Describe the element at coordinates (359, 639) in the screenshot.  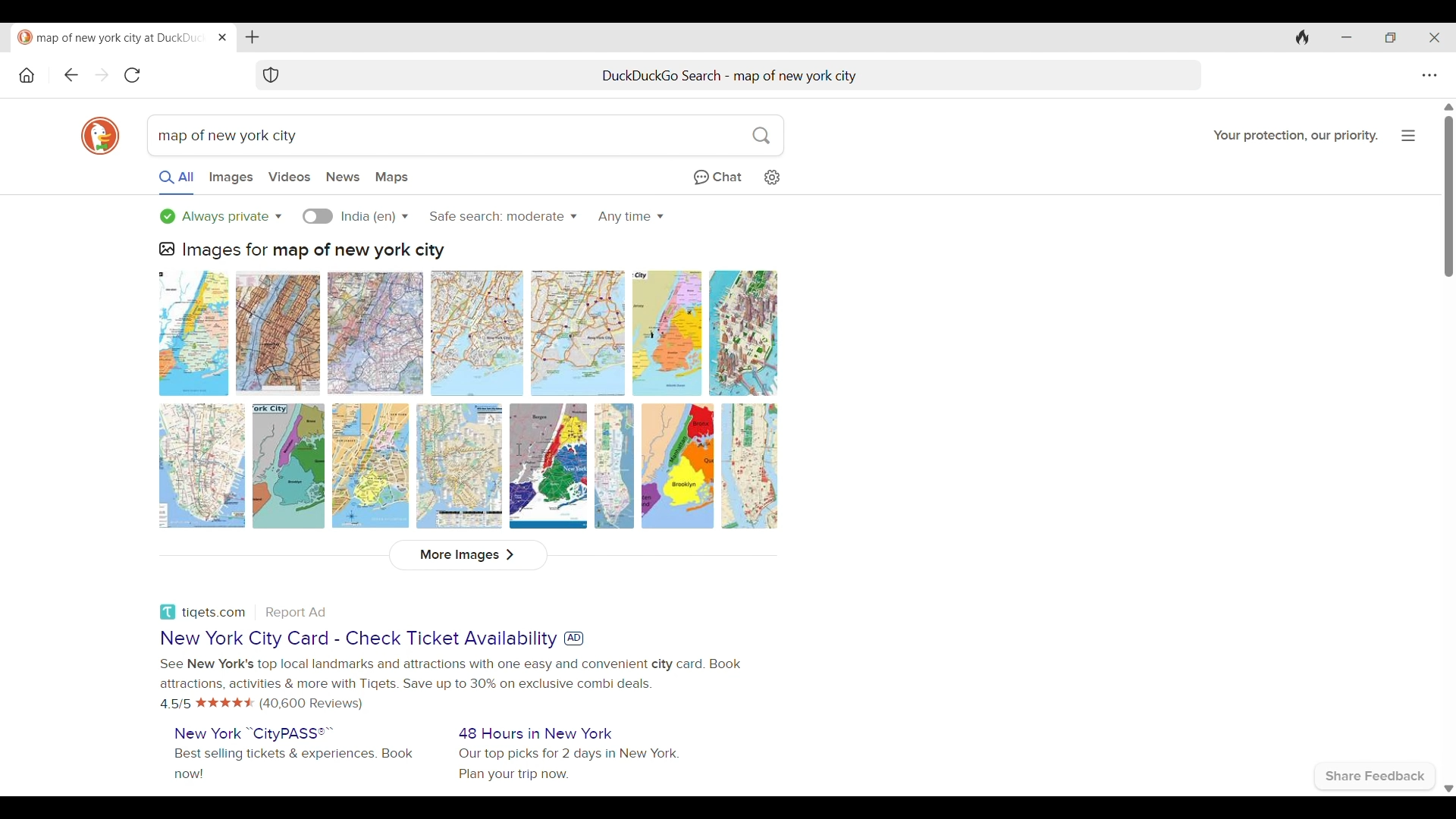
I see `New York City Card - Check Ticket Availability` at that location.